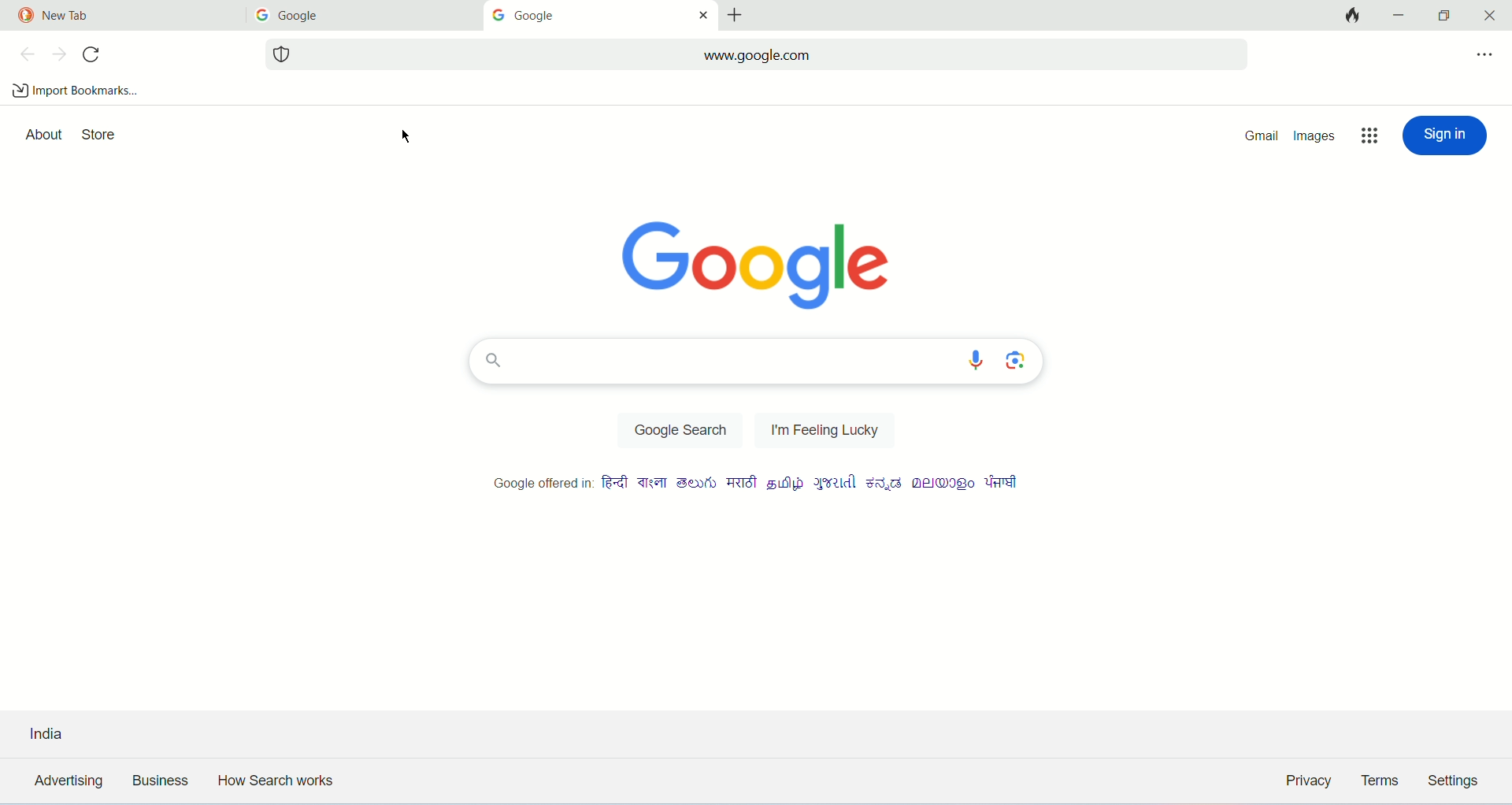 This screenshot has width=1512, height=805. I want to click on terms, so click(1375, 777).